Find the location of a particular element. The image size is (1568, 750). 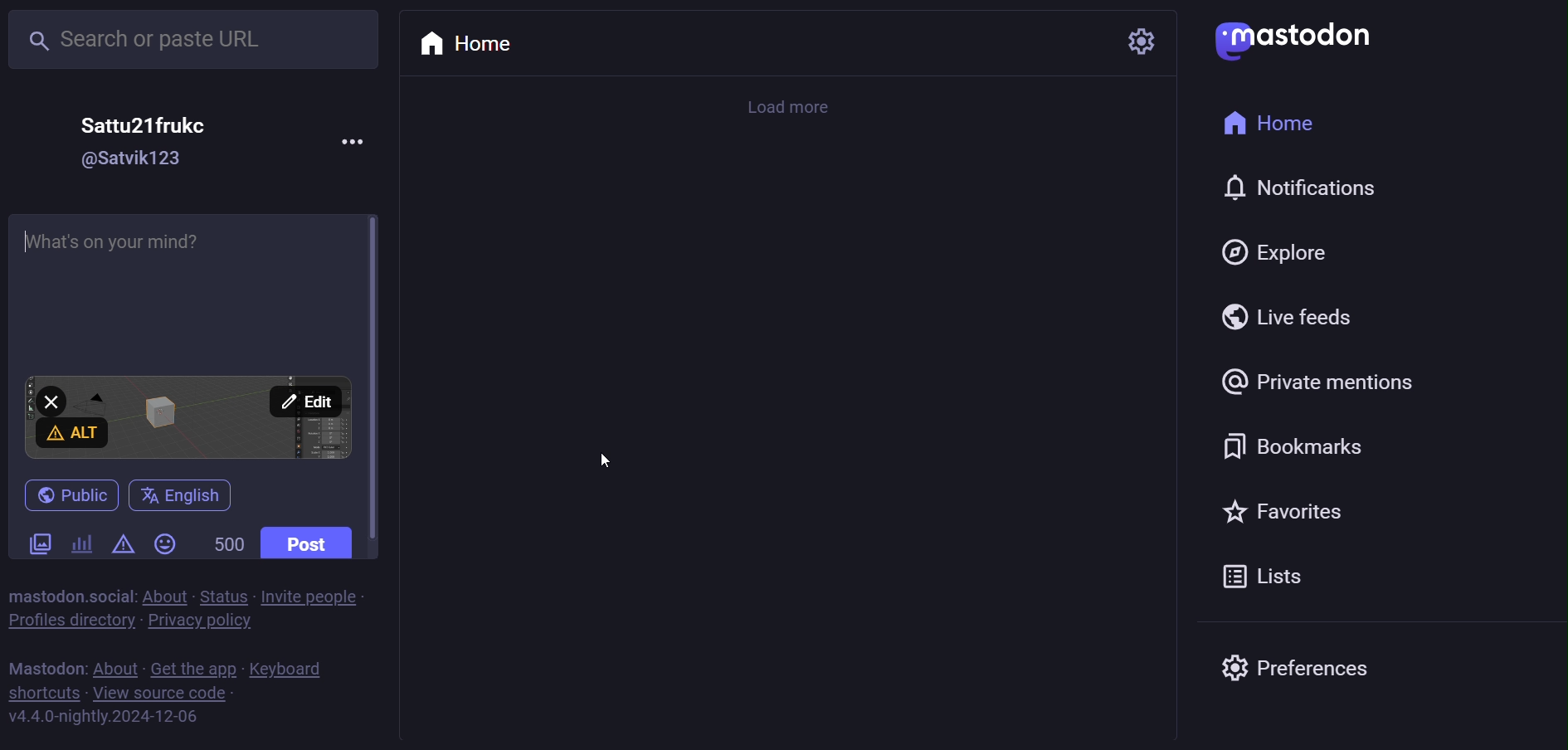

home is located at coordinates (480, 43).